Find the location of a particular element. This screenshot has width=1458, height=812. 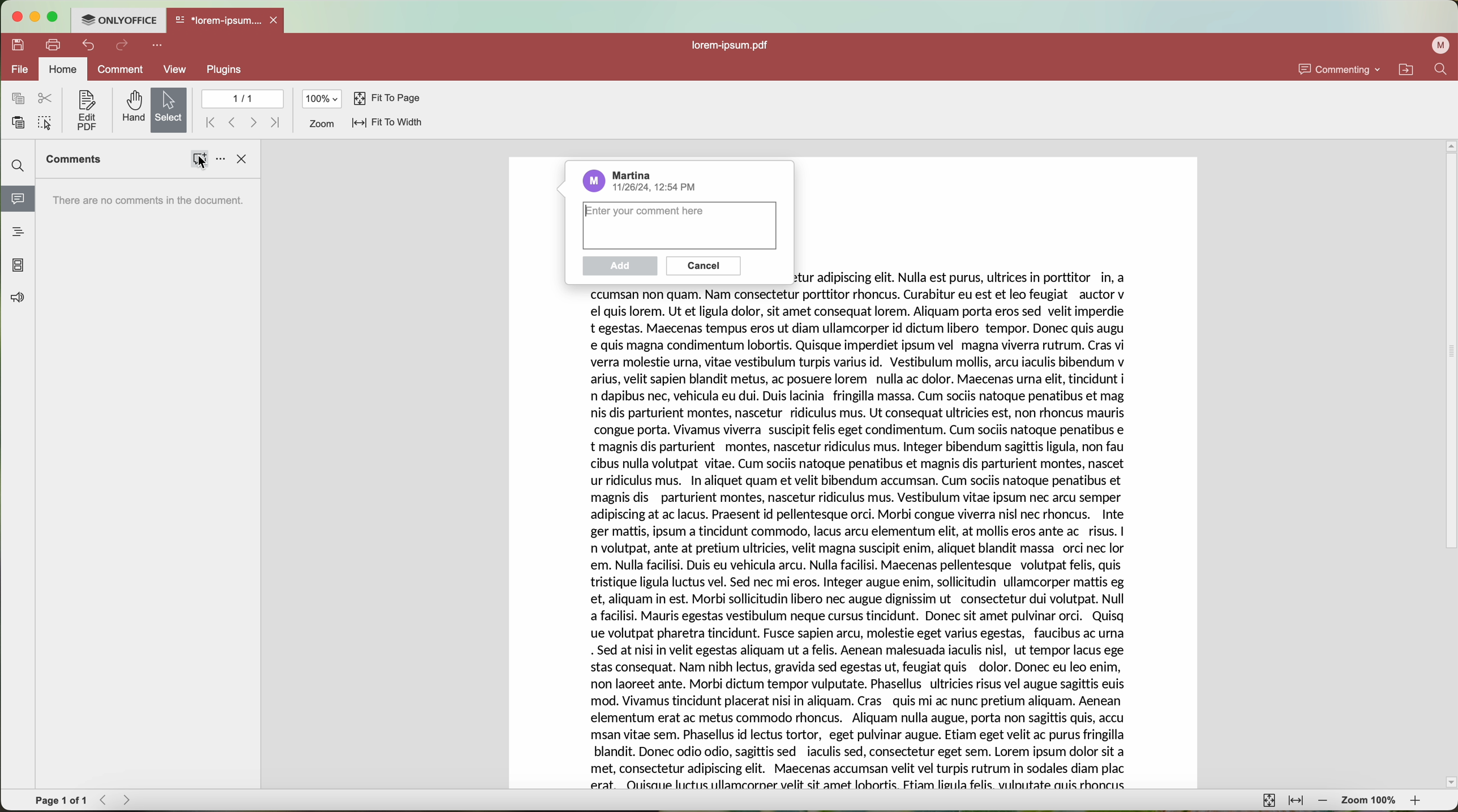

open file is located at coordinates (227, 21).